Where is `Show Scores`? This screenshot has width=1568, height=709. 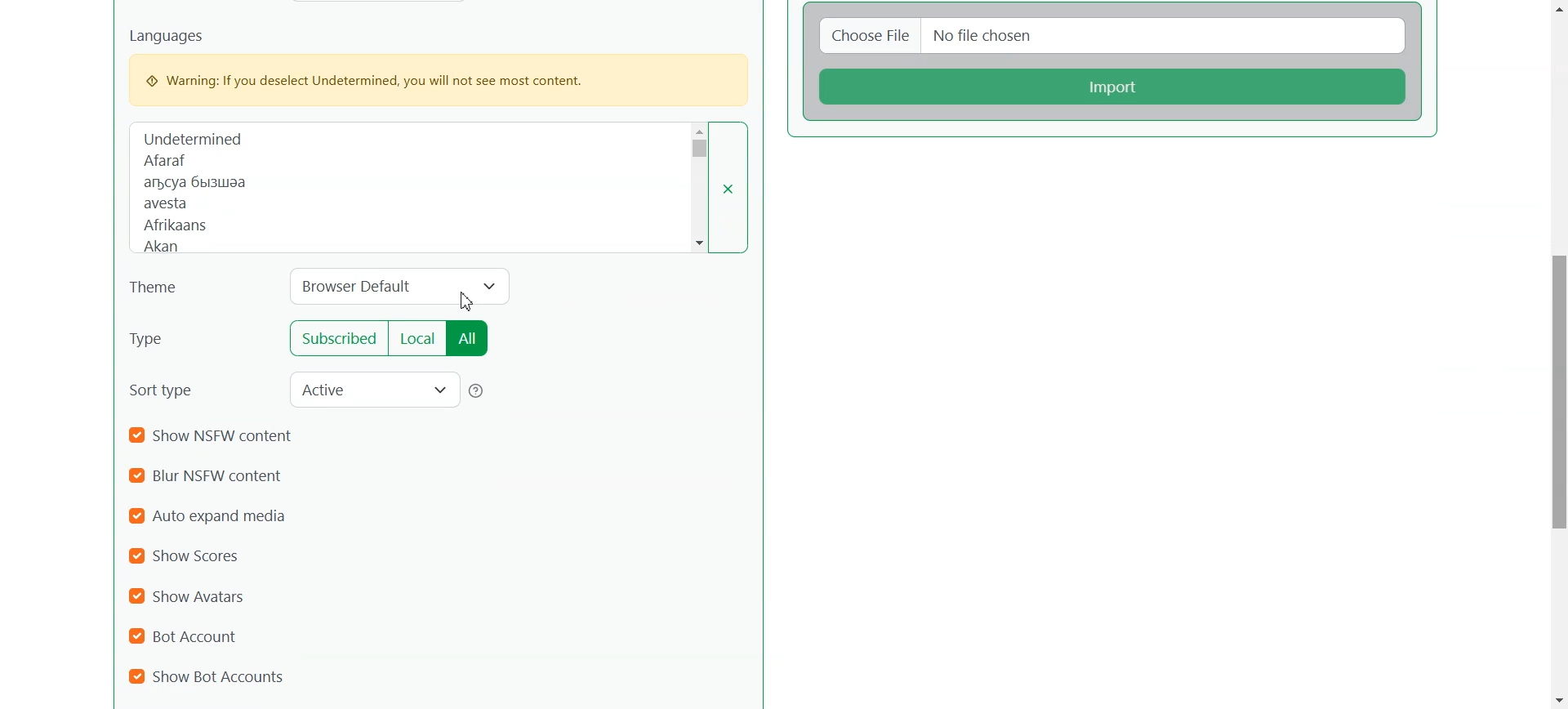
Show Scores is located at coordinates (193, 555).